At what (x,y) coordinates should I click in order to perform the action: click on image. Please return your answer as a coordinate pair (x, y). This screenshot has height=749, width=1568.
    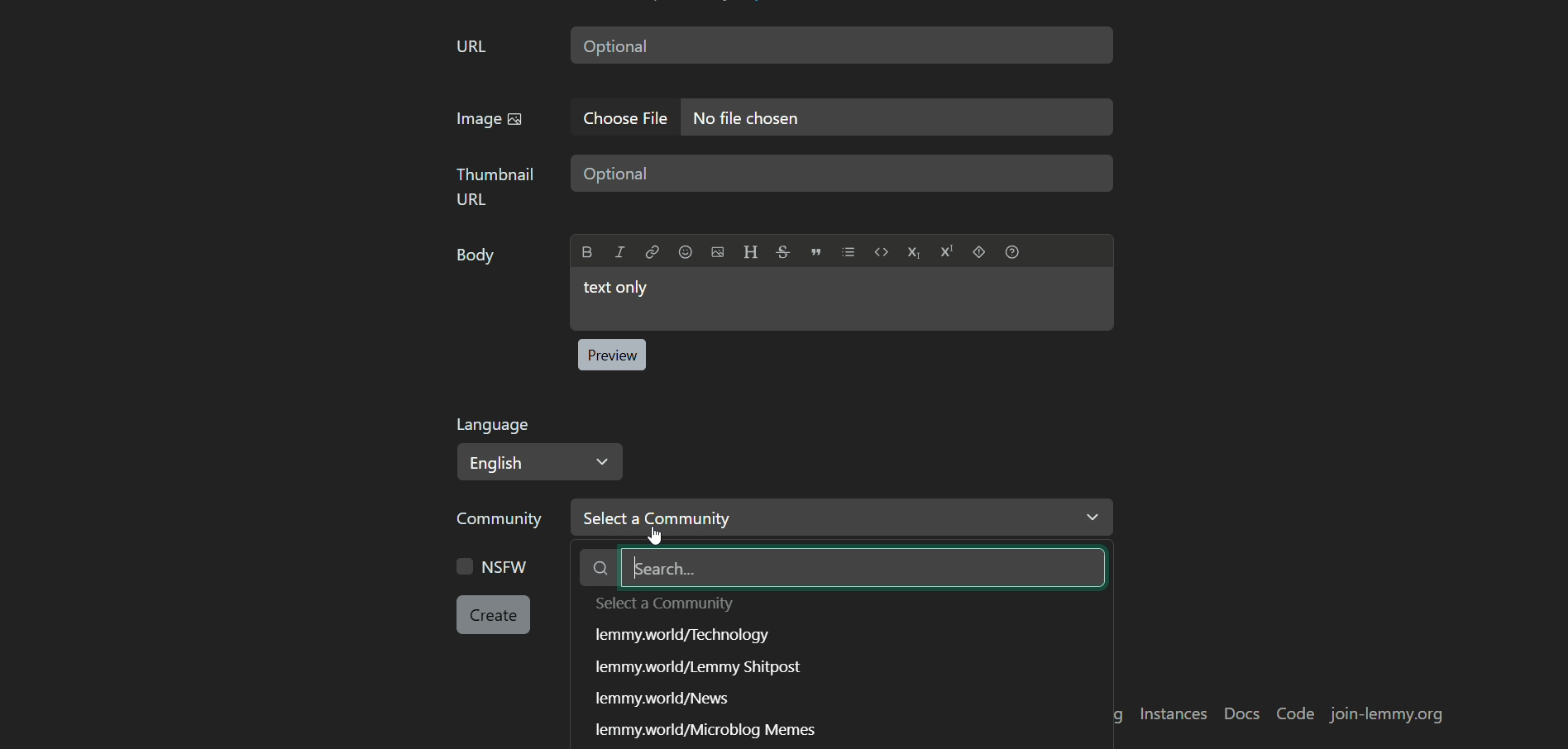
    Looking at the image, I should click on (490, 121).